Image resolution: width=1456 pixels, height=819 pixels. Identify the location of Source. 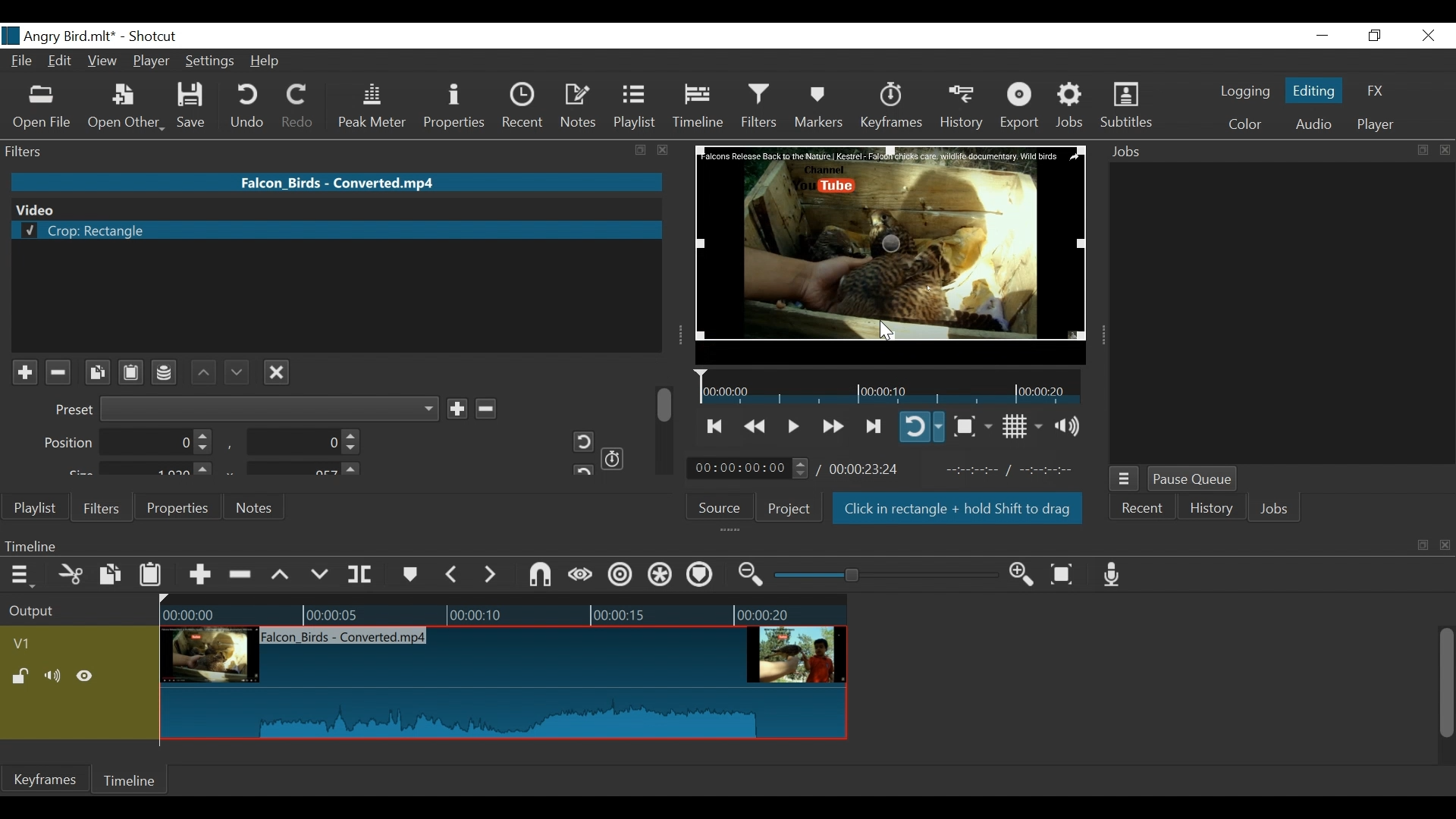
(725, 506).